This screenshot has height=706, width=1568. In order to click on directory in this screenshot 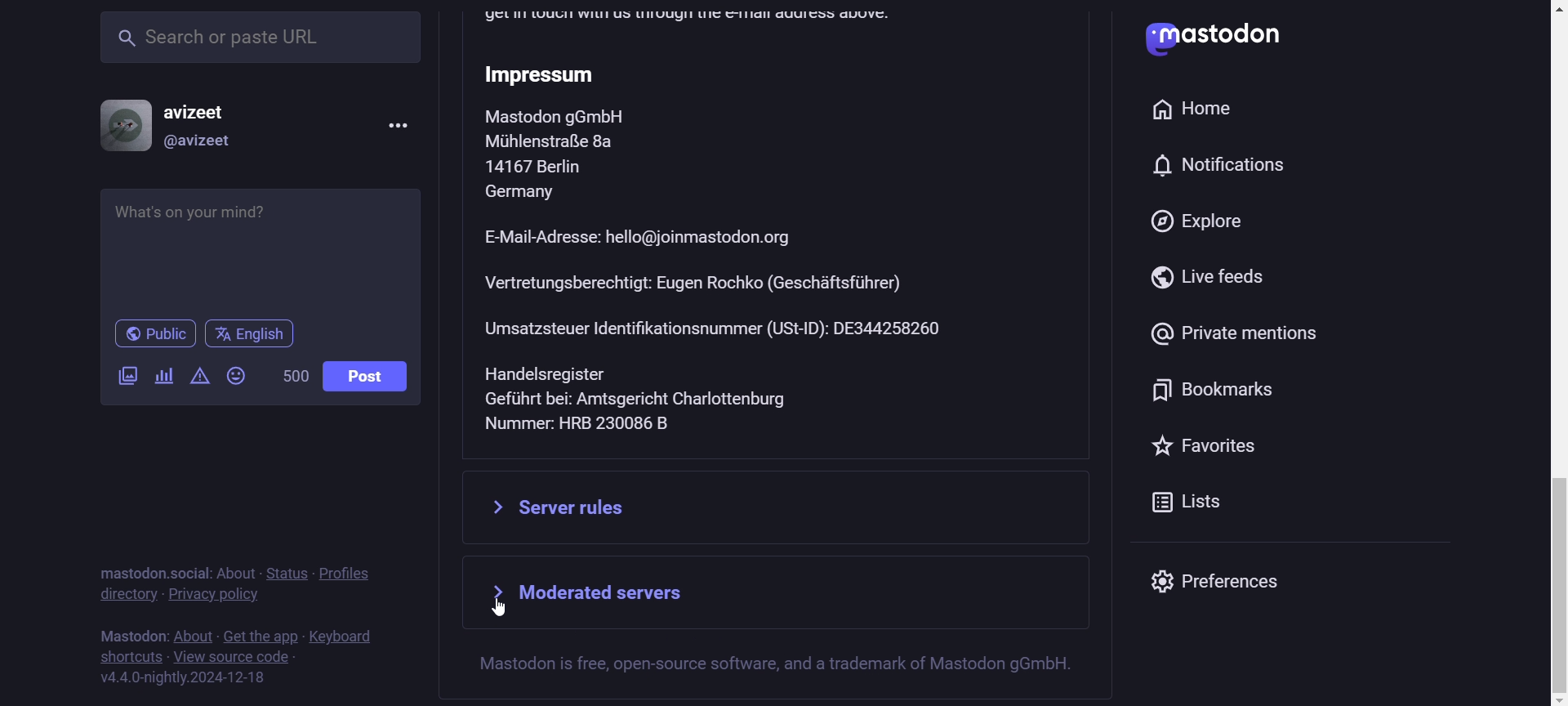, I will do `click(127, 596)`.